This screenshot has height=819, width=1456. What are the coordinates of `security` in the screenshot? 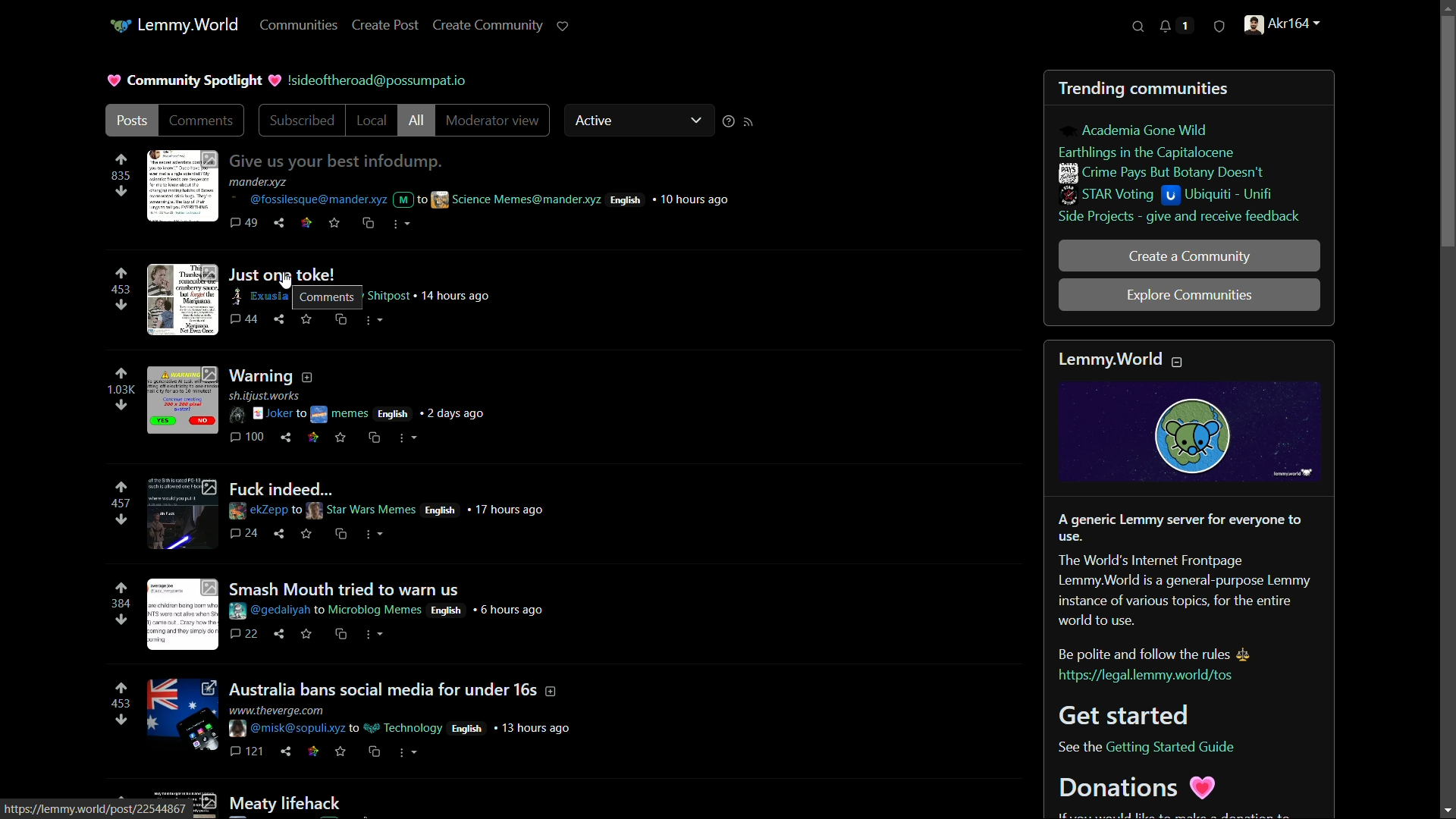 It's located at (1218, 27).